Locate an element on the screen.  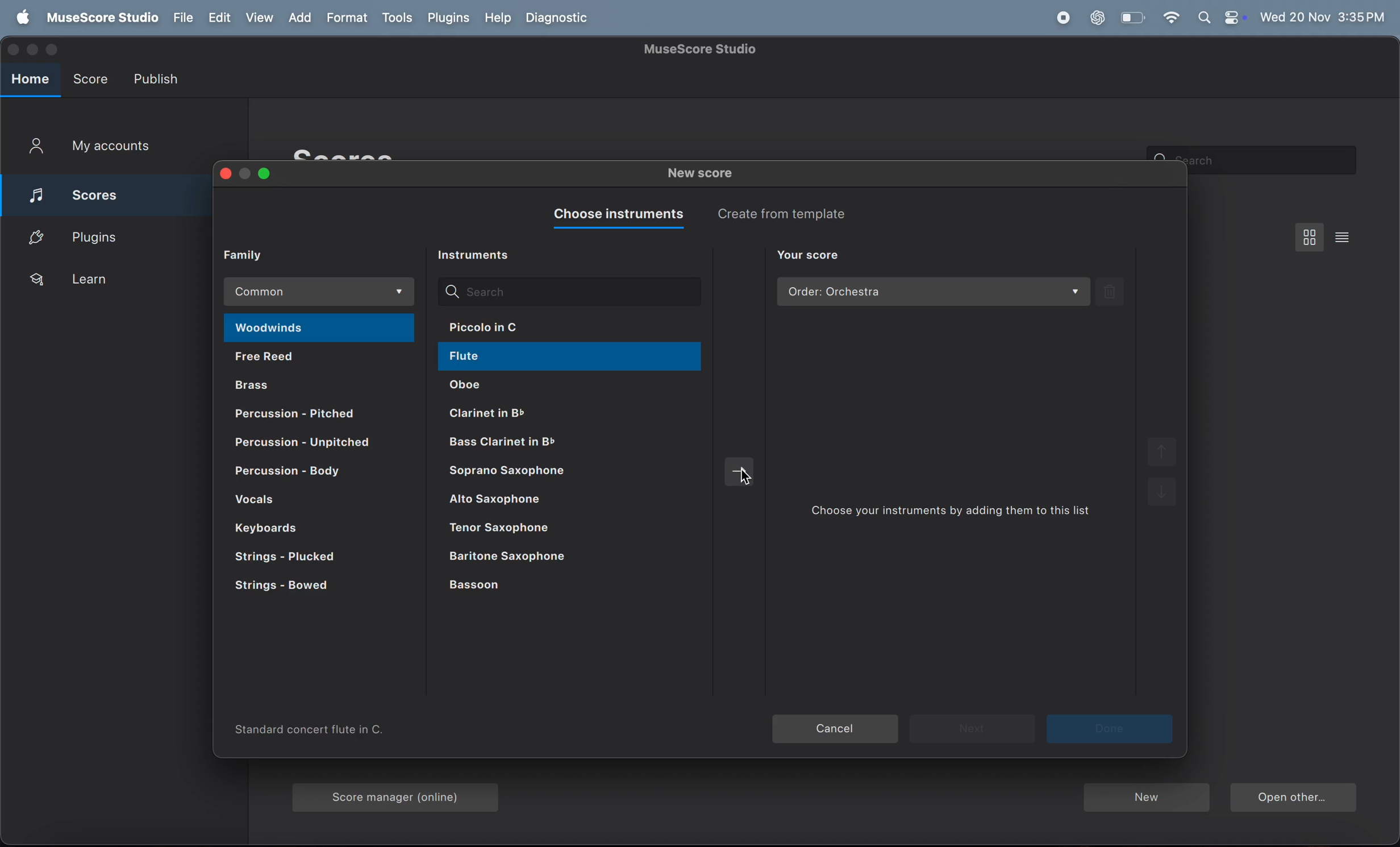
up is located at coordinates (1160, 452).